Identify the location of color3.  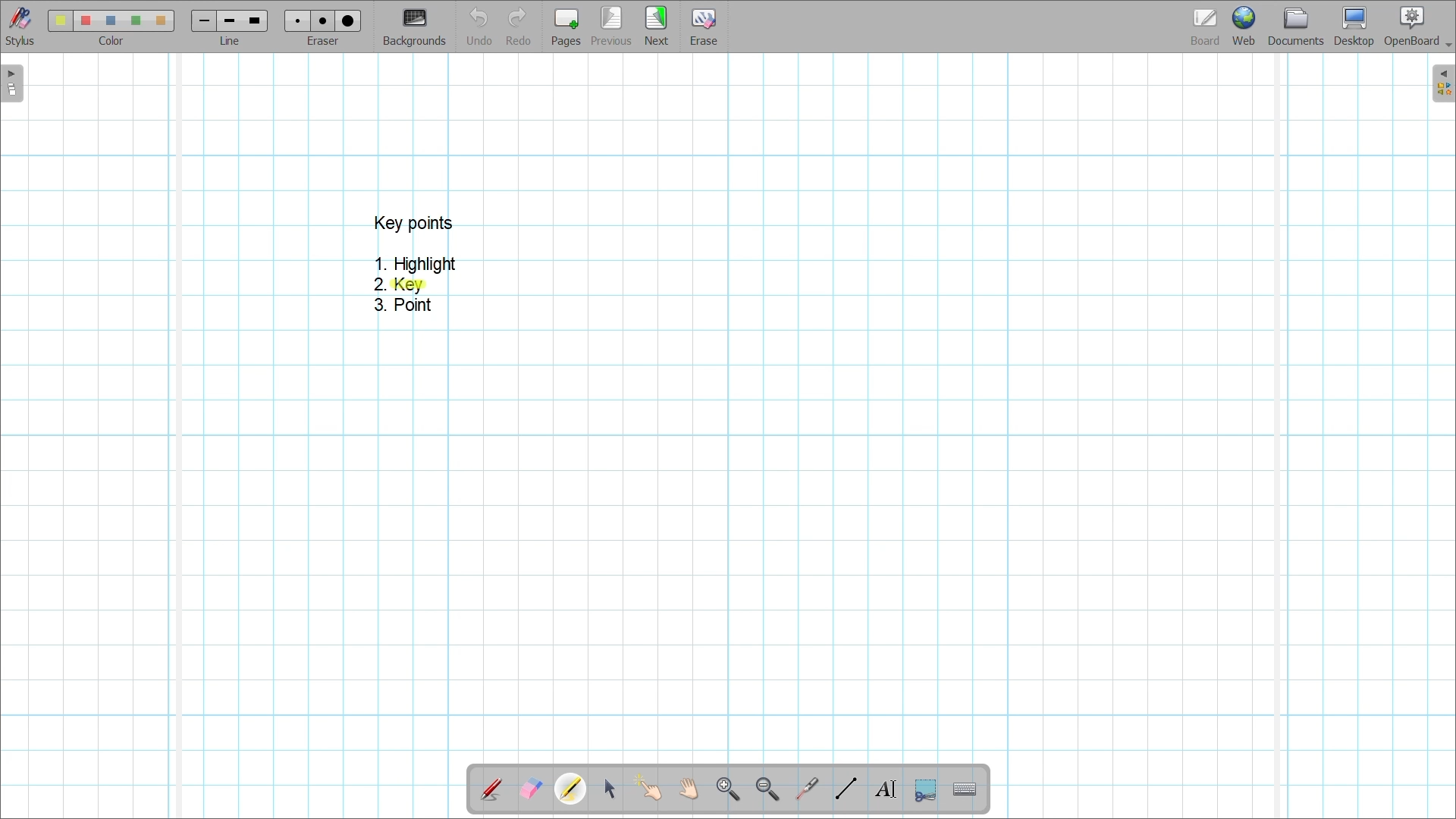
(111, 21).